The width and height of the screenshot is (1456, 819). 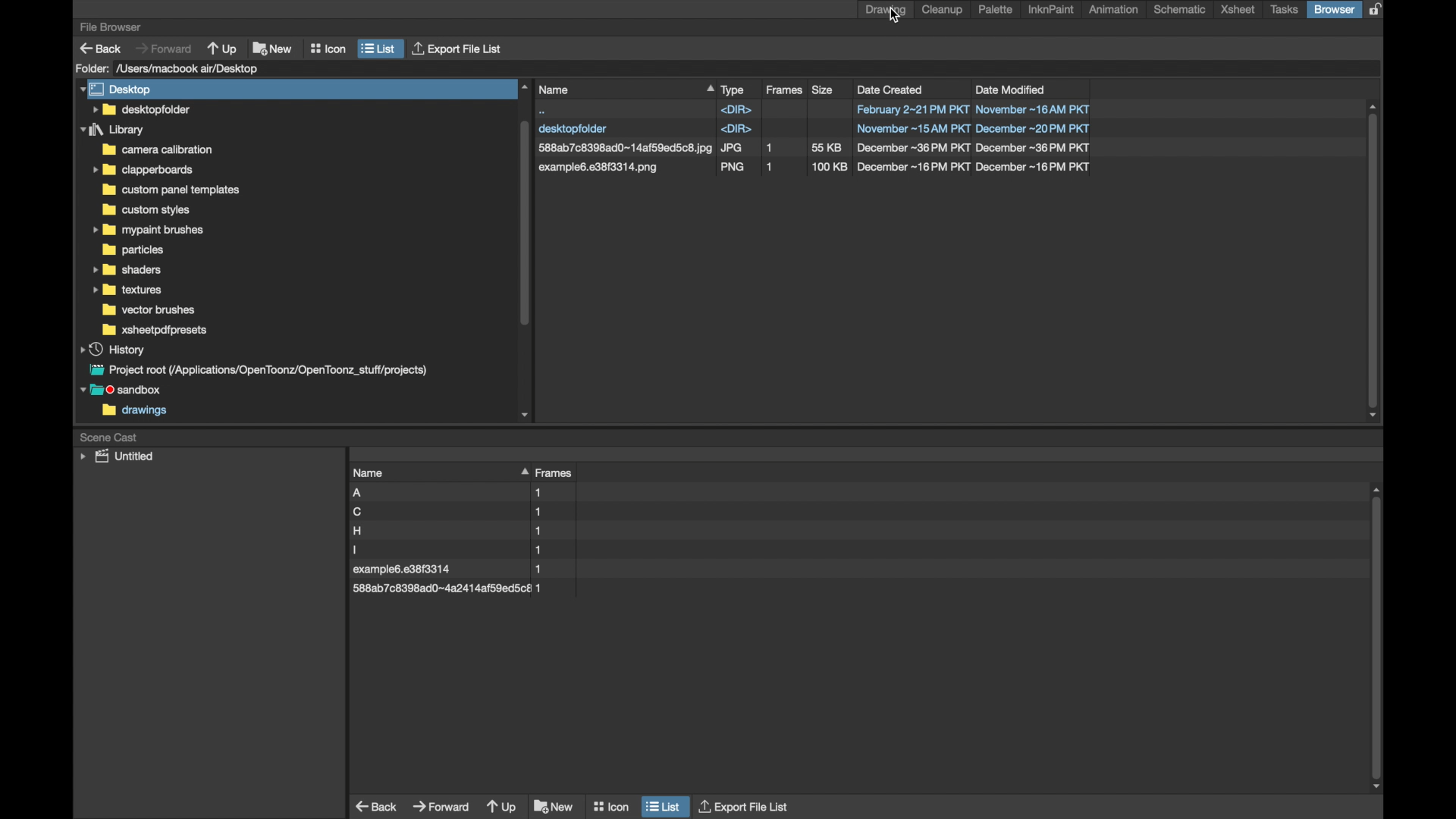 What do you see at coordinates (824, 89) in the screenshot?
I see `size` at bounding box center [824, 89].